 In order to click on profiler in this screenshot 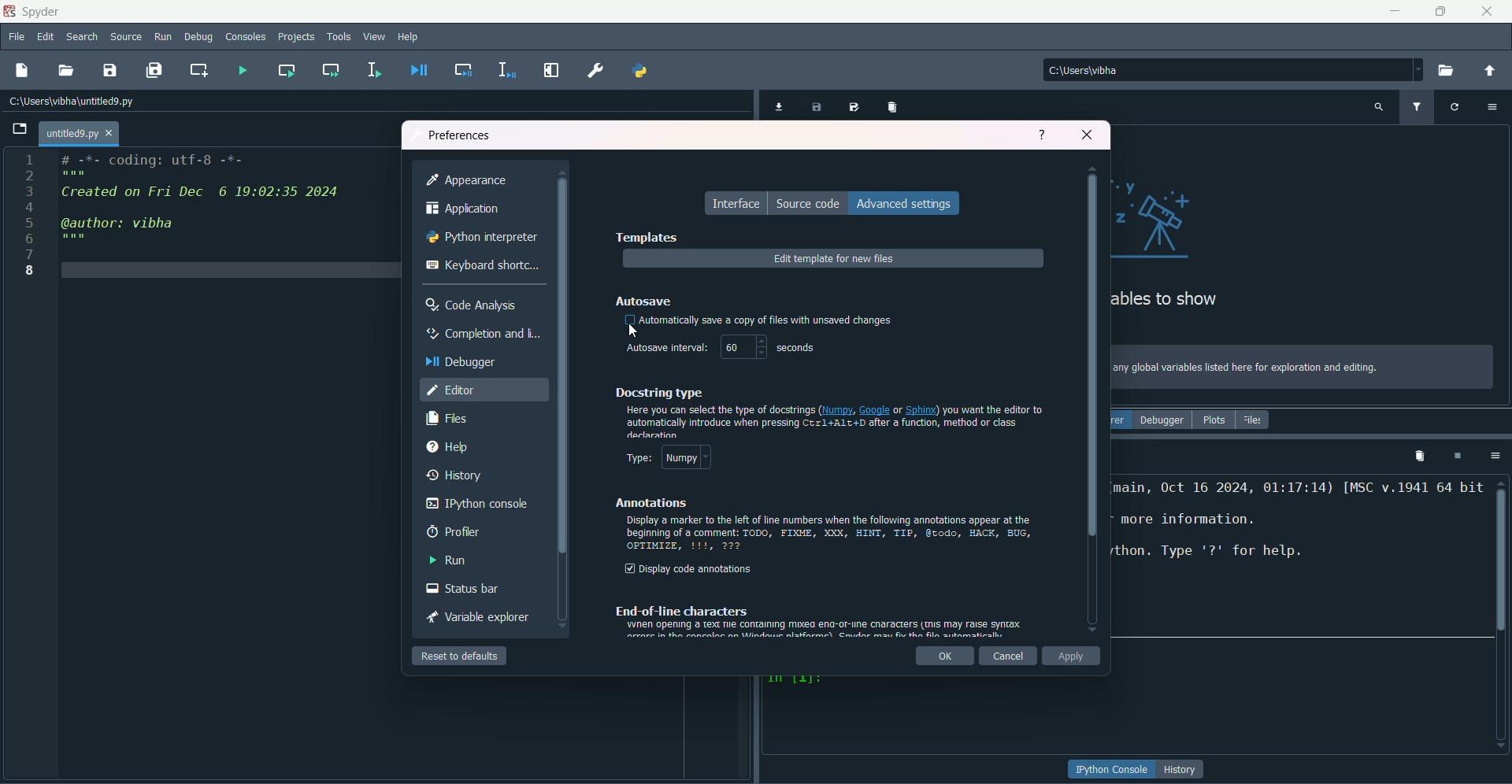, I will do `click(450, 533)`.